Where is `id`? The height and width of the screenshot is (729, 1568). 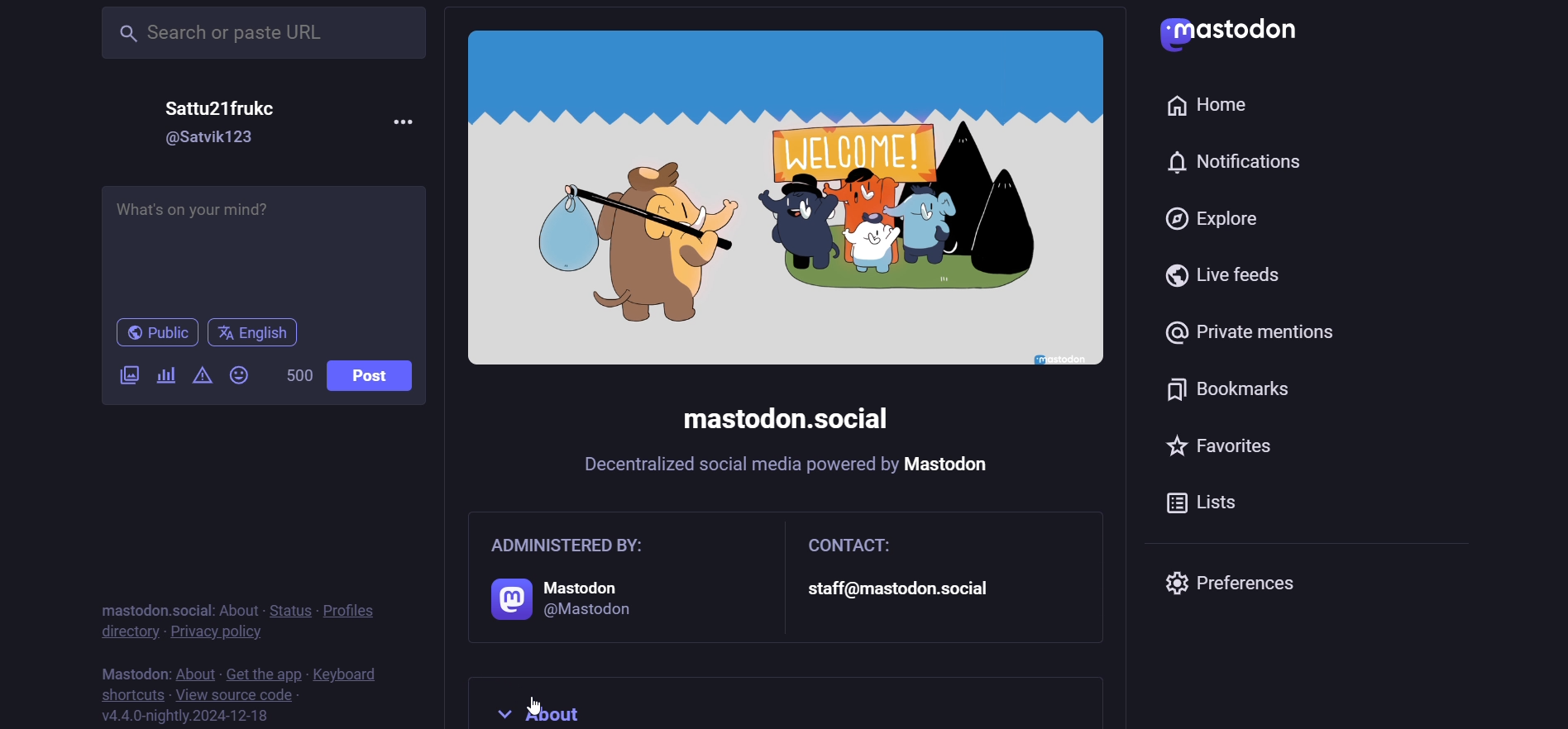 id is located at coordinates (213, 138).